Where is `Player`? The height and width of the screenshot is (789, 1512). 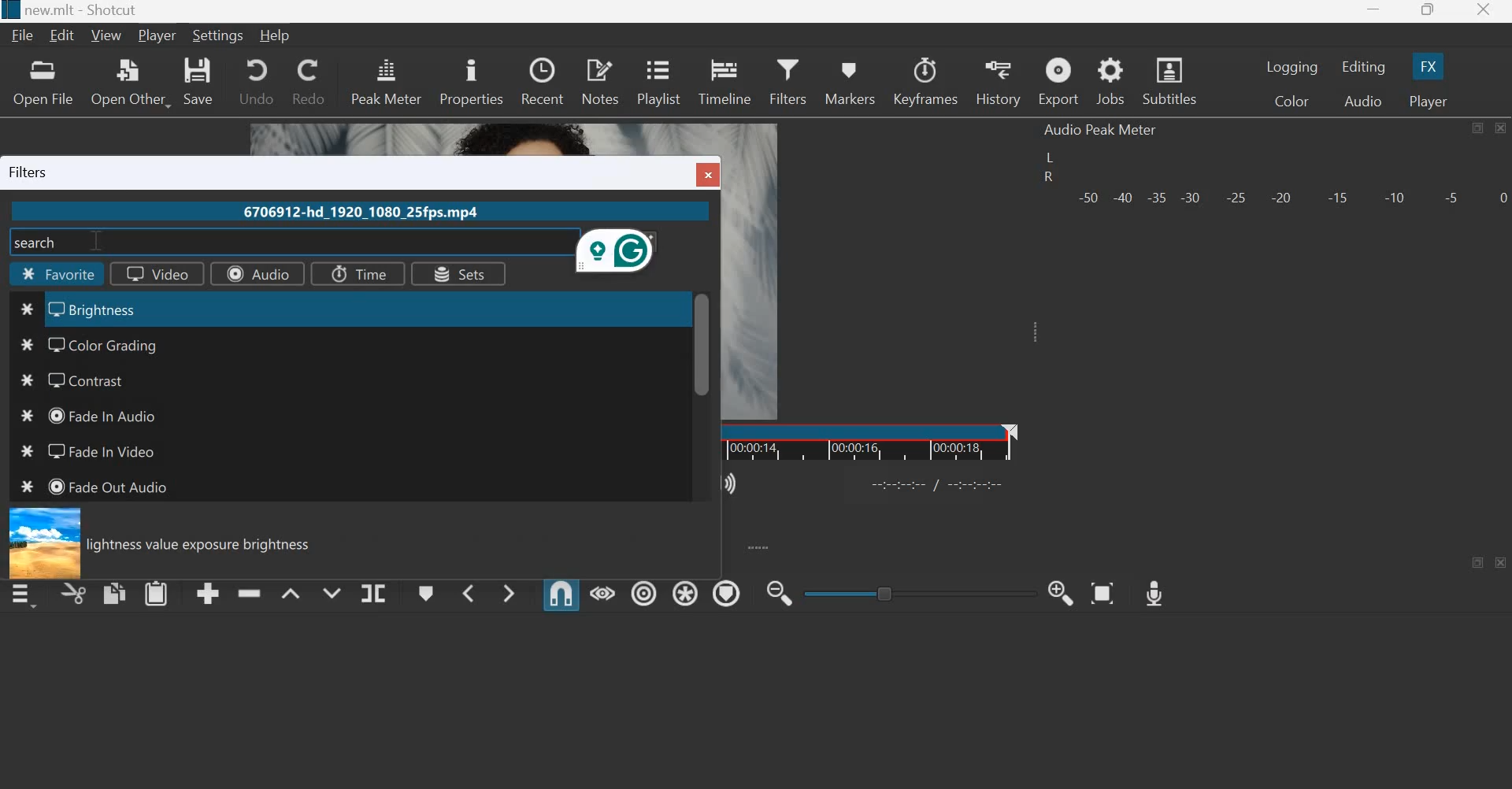
Player is located at coordinates (1426, 101).